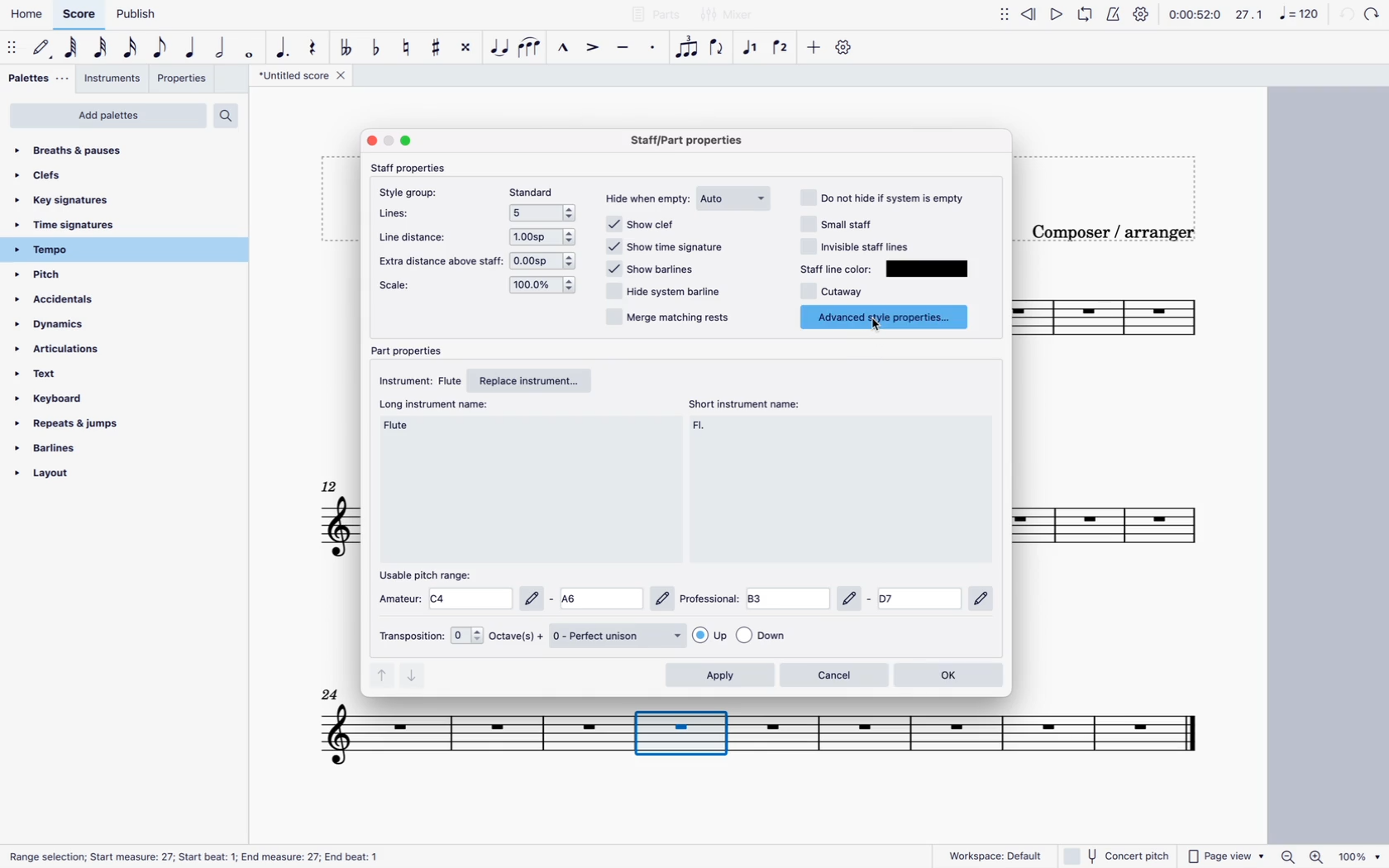 The width and height of the screenshot is (1389, 868). I want to click on flip direction, so click(719, 48).